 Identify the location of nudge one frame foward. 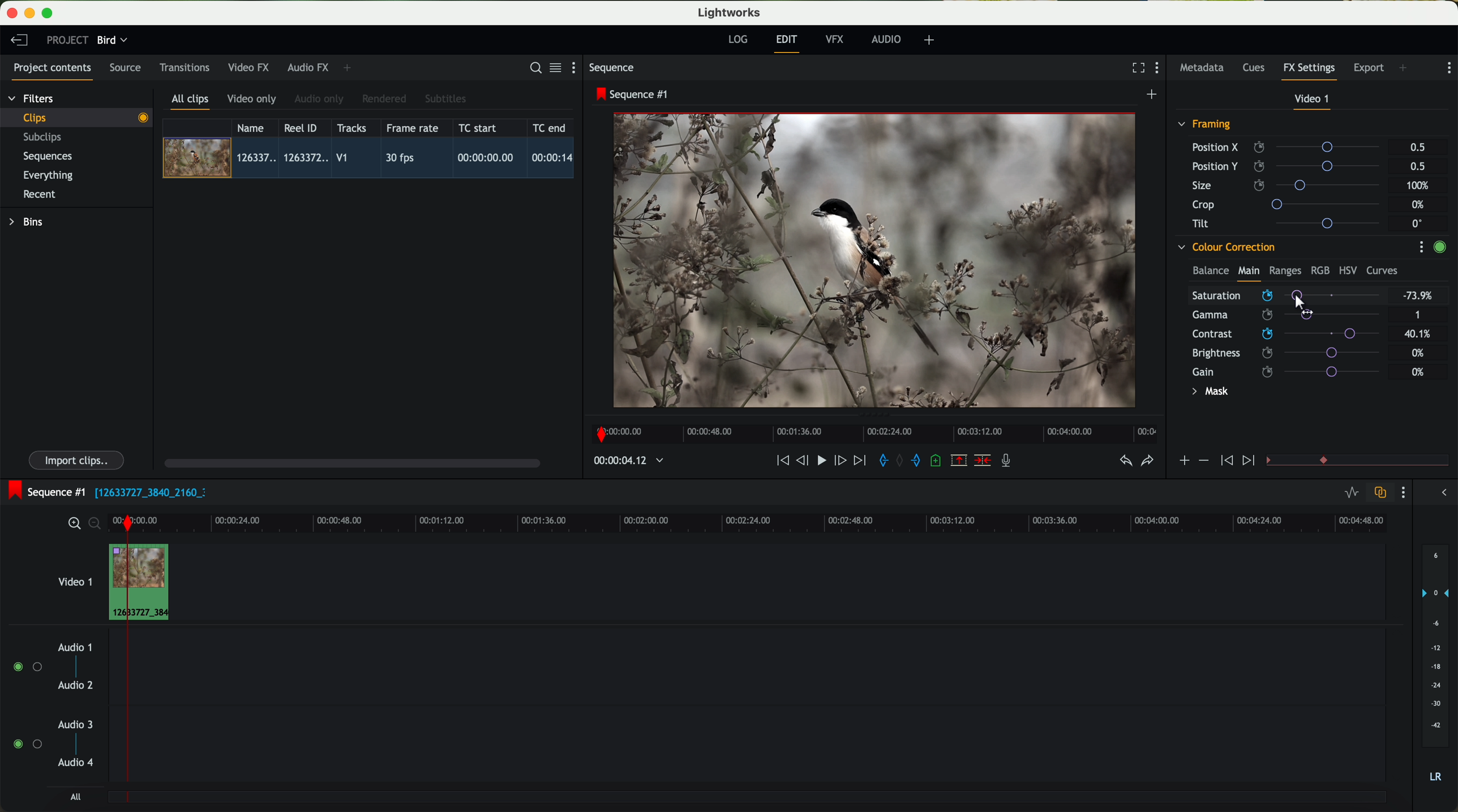
(842, 461).